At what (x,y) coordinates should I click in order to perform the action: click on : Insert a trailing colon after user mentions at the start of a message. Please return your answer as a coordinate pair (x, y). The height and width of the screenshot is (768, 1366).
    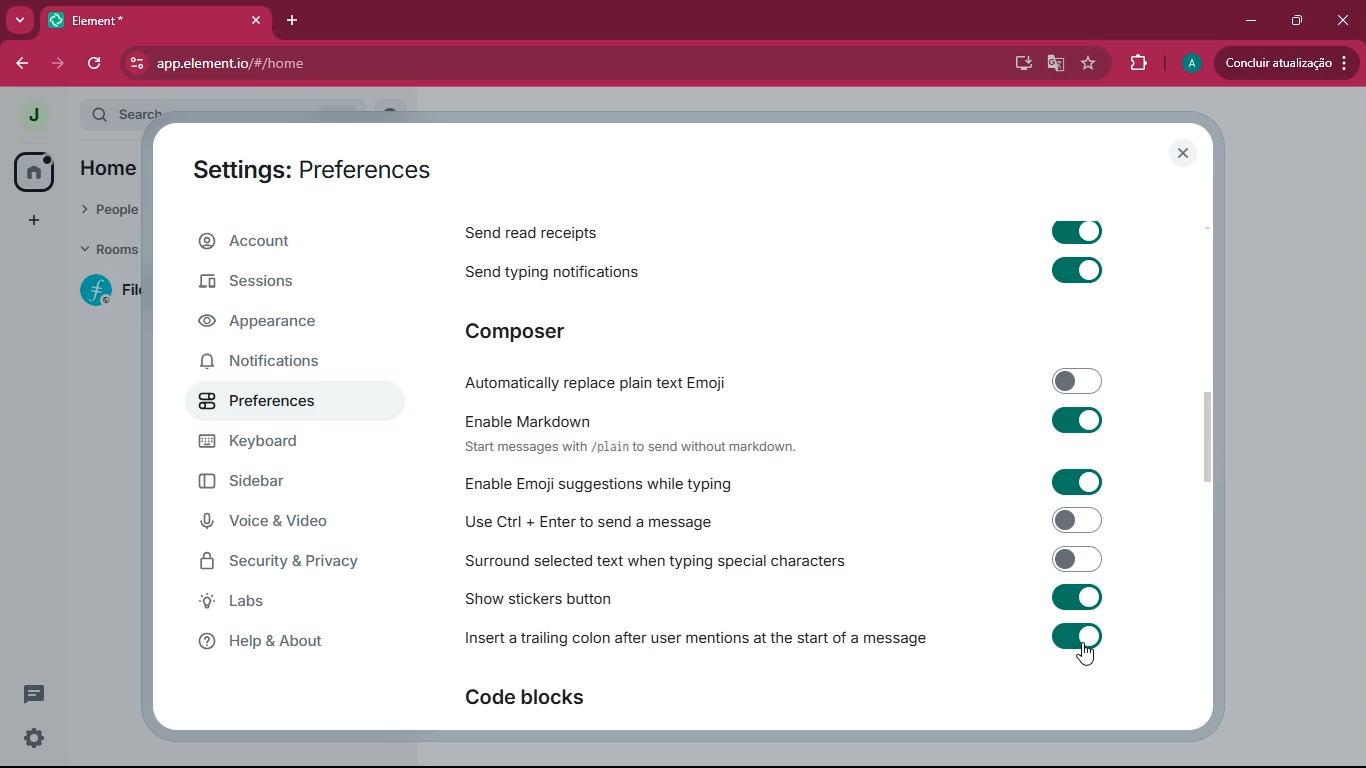
    Looking at the image, I should click on (781, 640).